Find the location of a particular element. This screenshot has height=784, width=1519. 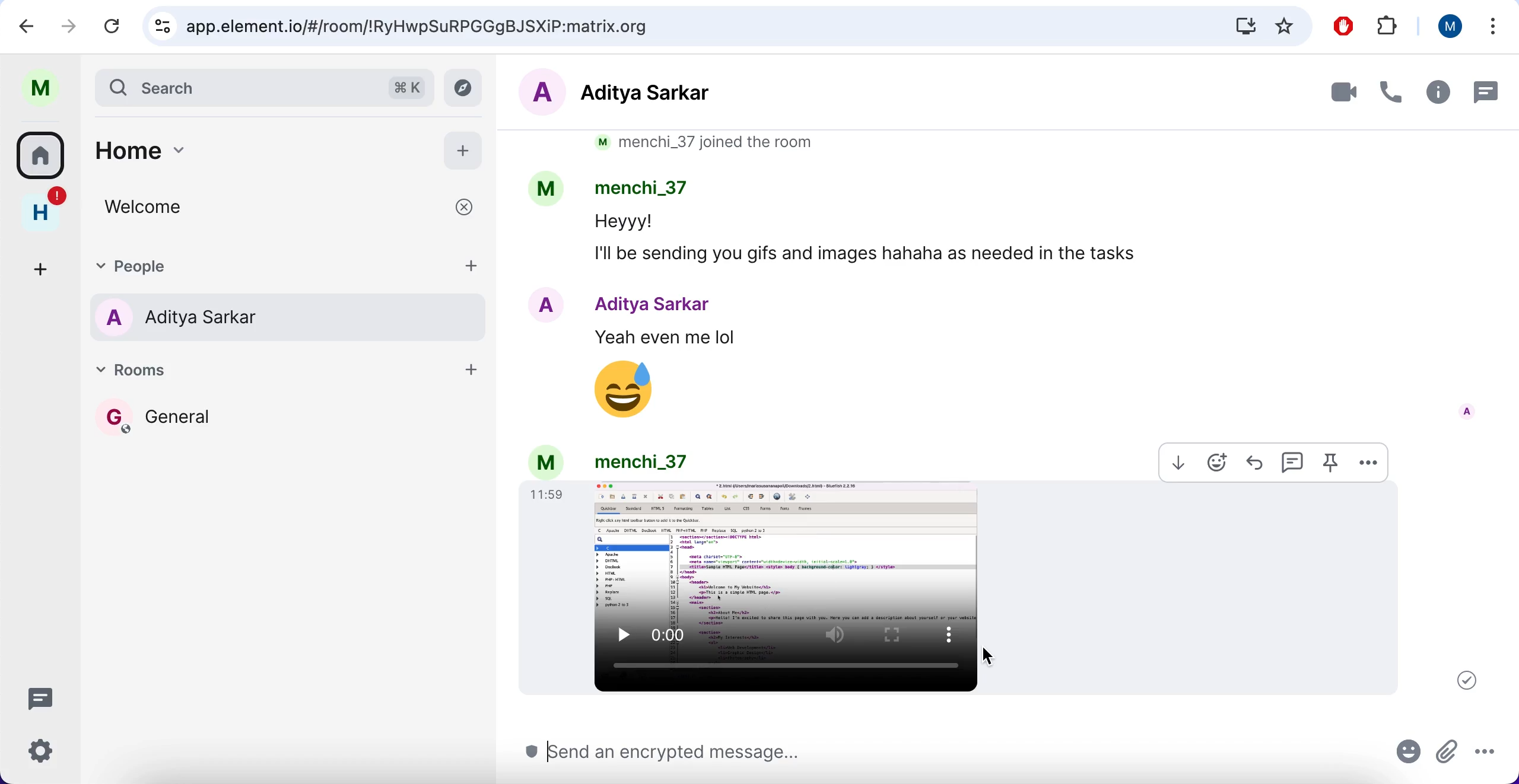

rooms is located at coordinates (42, 153).